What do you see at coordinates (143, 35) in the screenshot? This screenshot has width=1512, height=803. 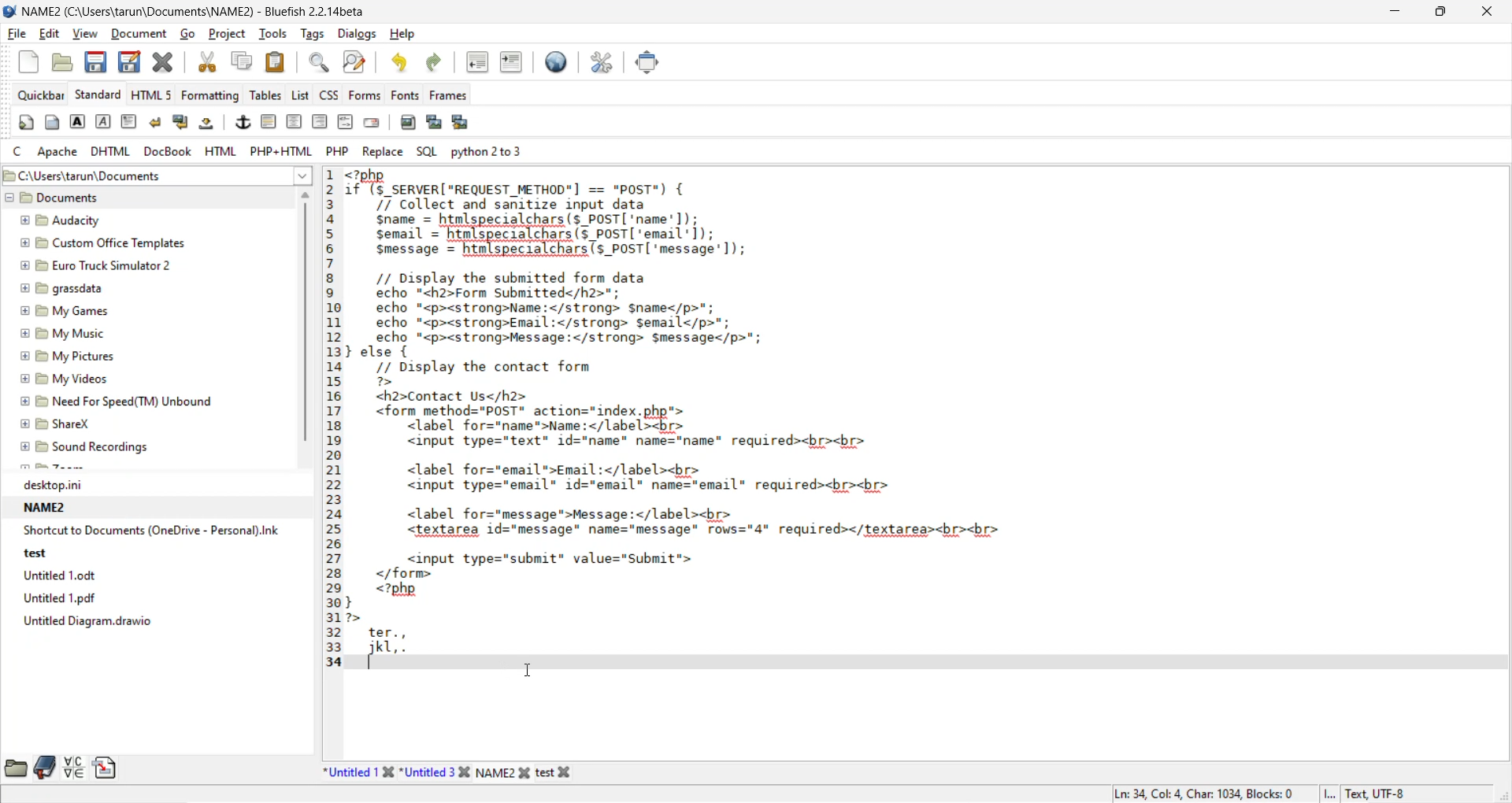 I see `document` at bounding box center [143, 35].